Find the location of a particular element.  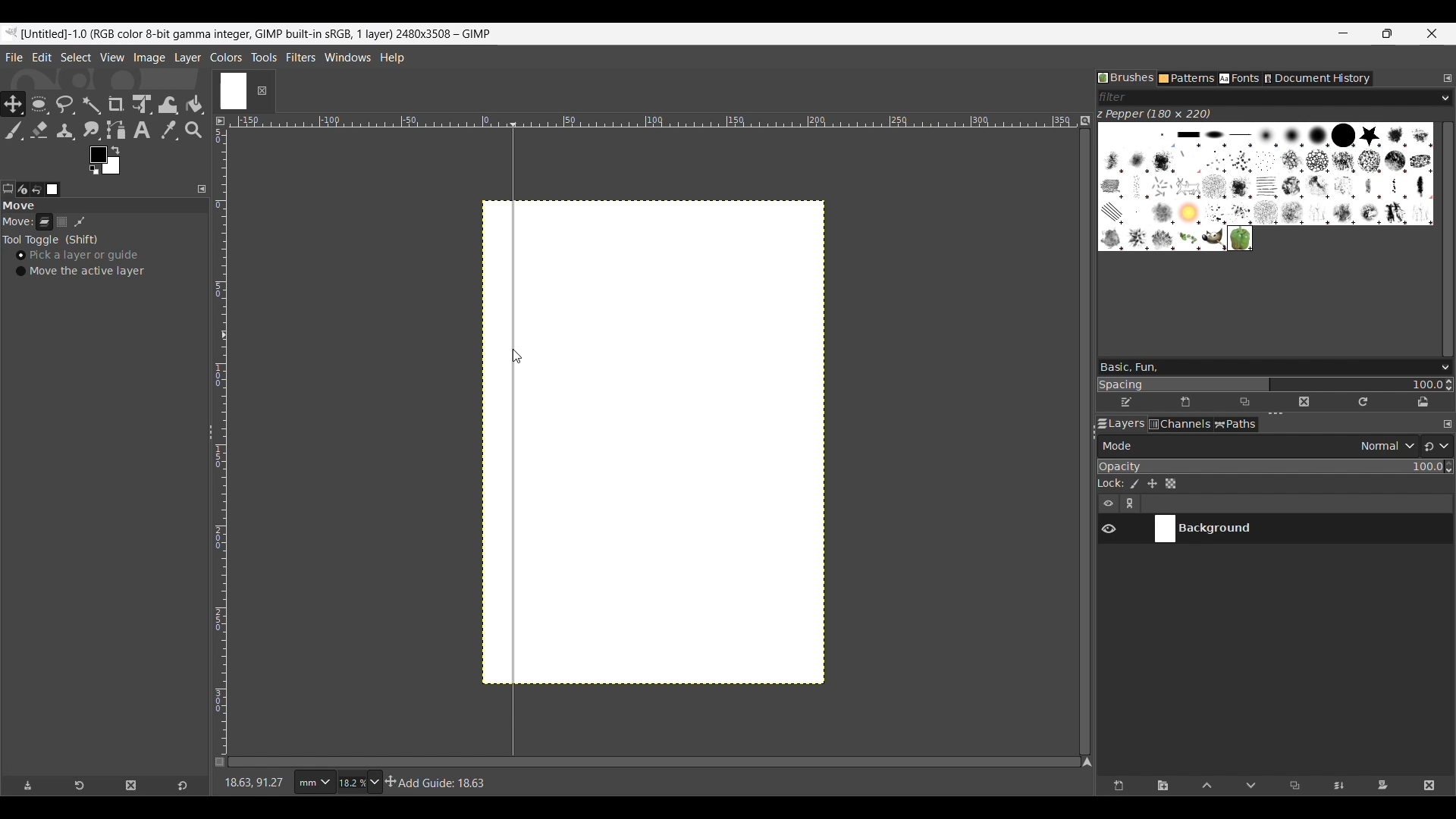

Lock pixels is located at coordinates (1134, 484).